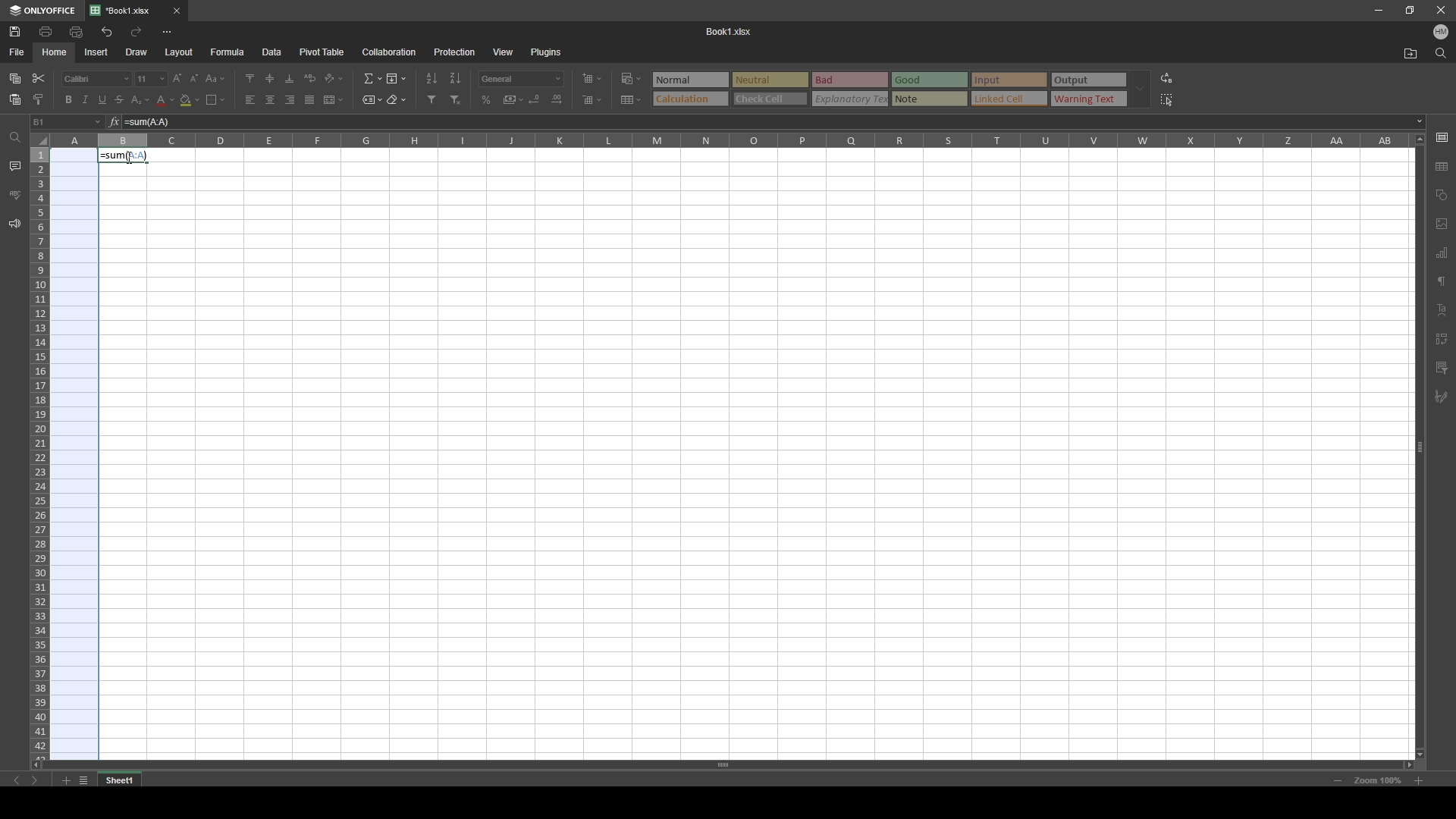 This screenshot has height=819, width=1456. Describe the element at coordinates (177, 11) in the screenshot. I see `close` at that location.